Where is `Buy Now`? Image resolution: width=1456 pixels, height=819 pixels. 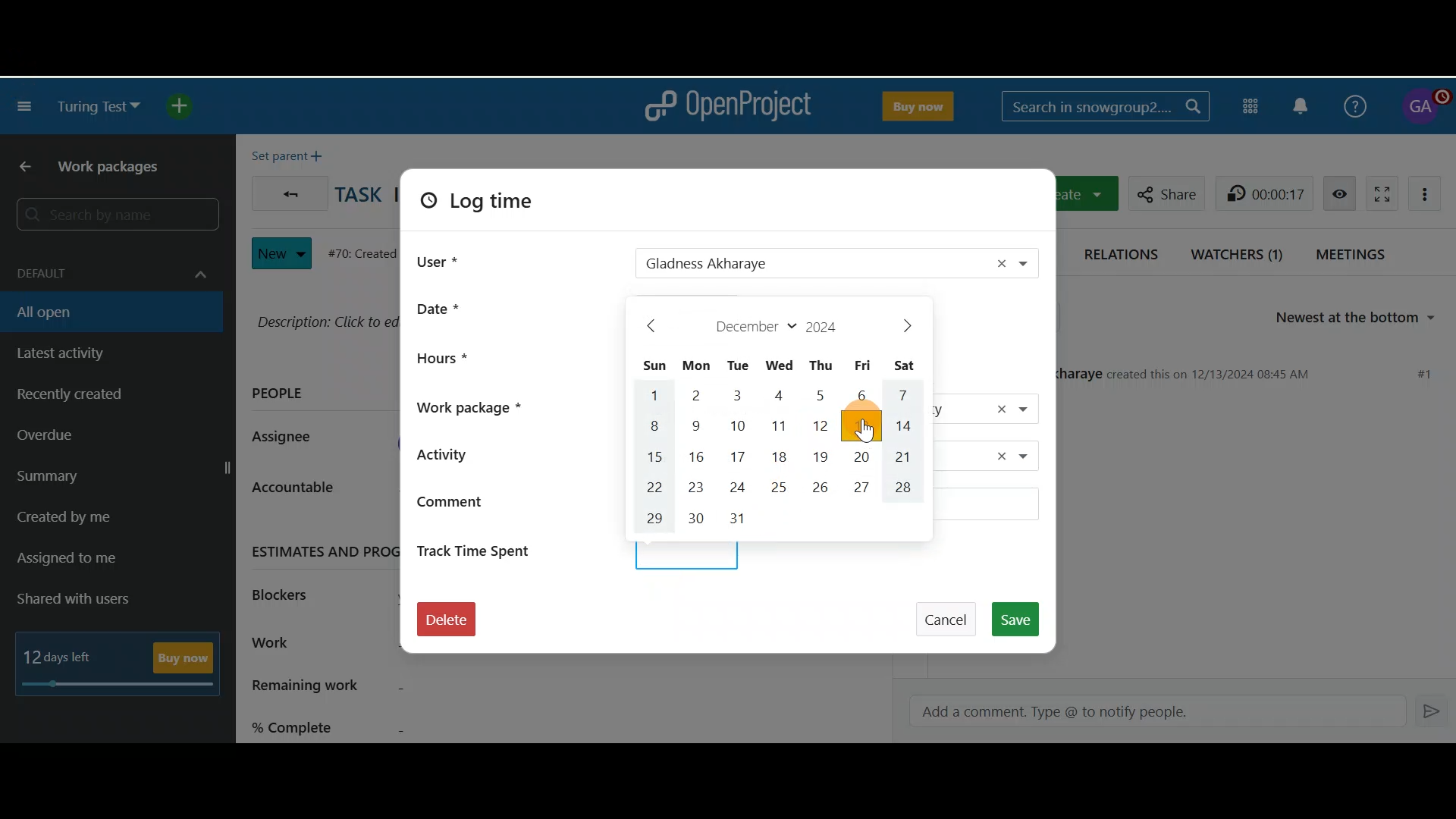
Buy Now is located at coordinates (915, 103).